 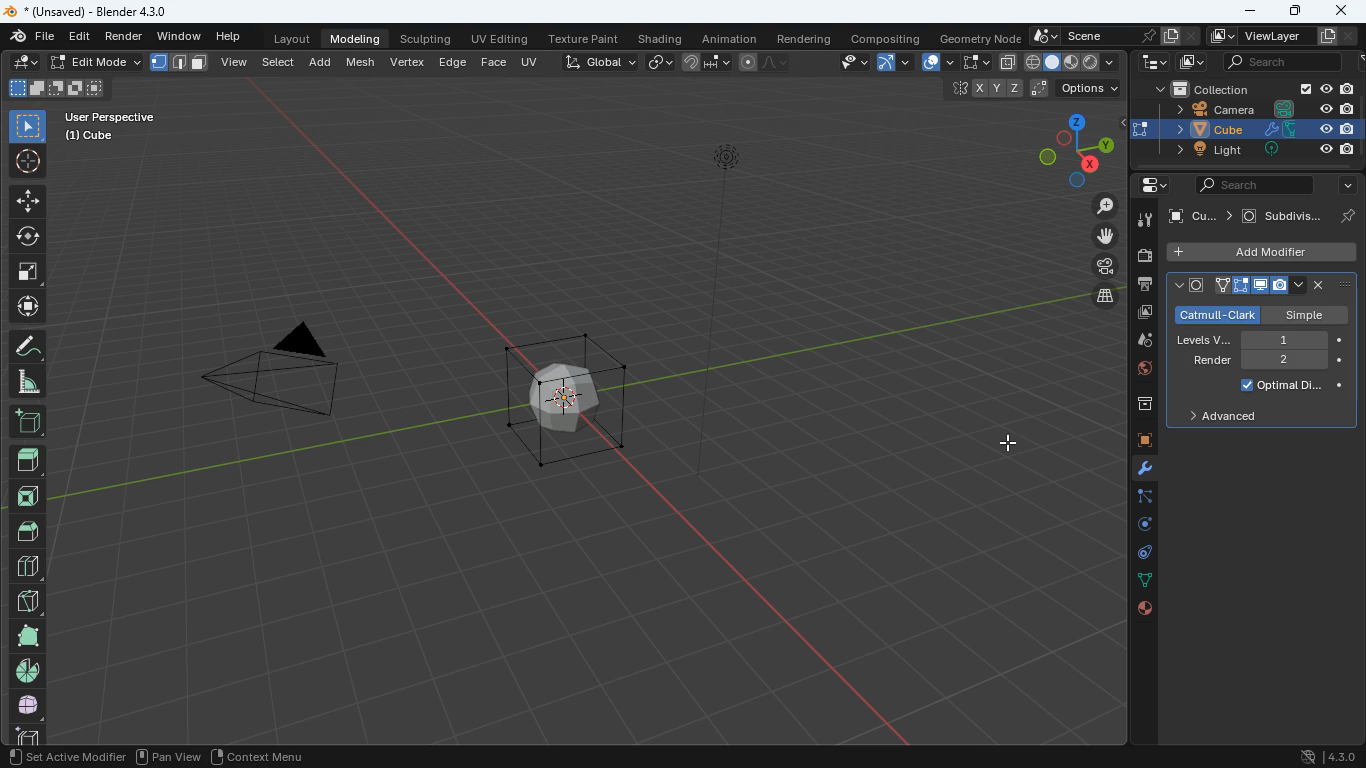 I want to click on globe, so click(x=1137, y=372).